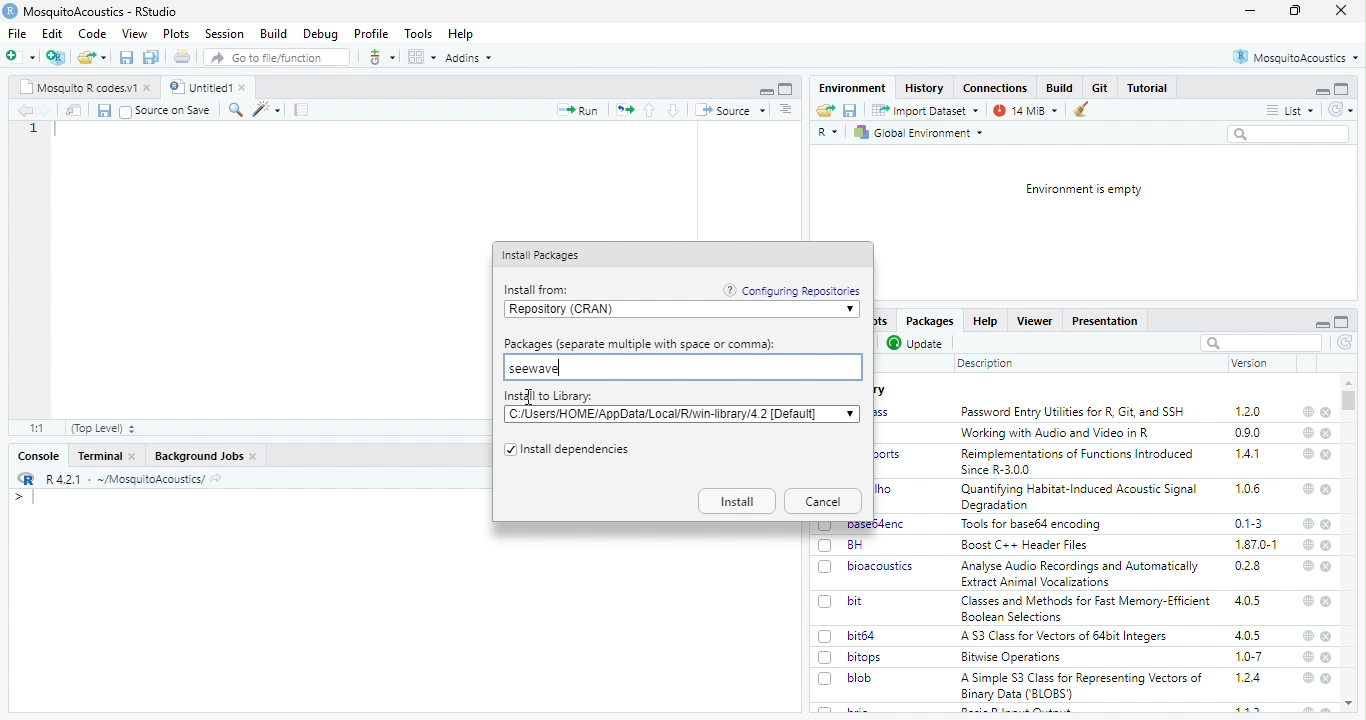 The height and width of the screenshot is (720, 1366). I want to click on bit, so click(856, 601).